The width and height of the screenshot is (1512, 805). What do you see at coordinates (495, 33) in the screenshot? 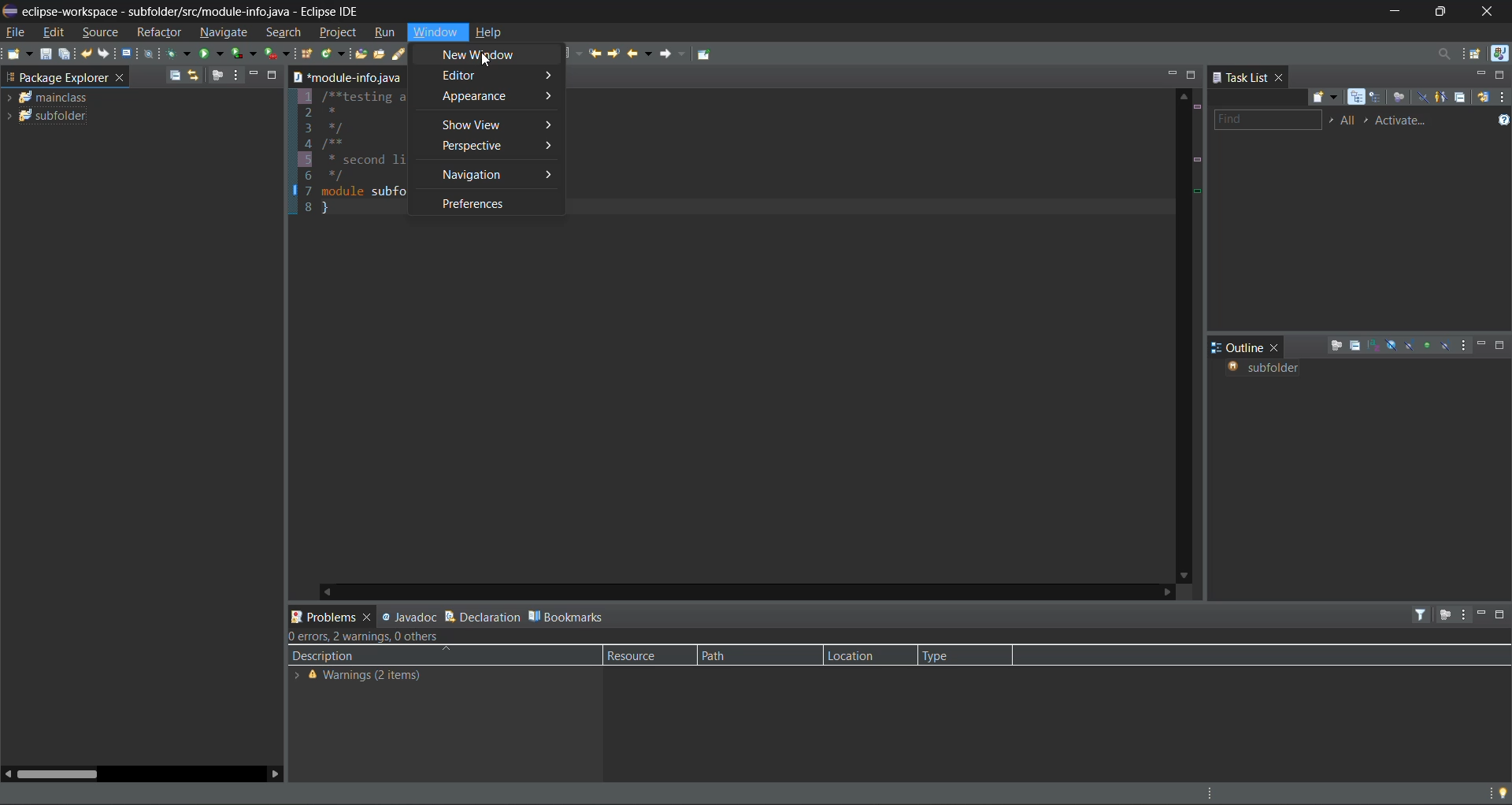
I see `help` at bounding box center [495, 33].